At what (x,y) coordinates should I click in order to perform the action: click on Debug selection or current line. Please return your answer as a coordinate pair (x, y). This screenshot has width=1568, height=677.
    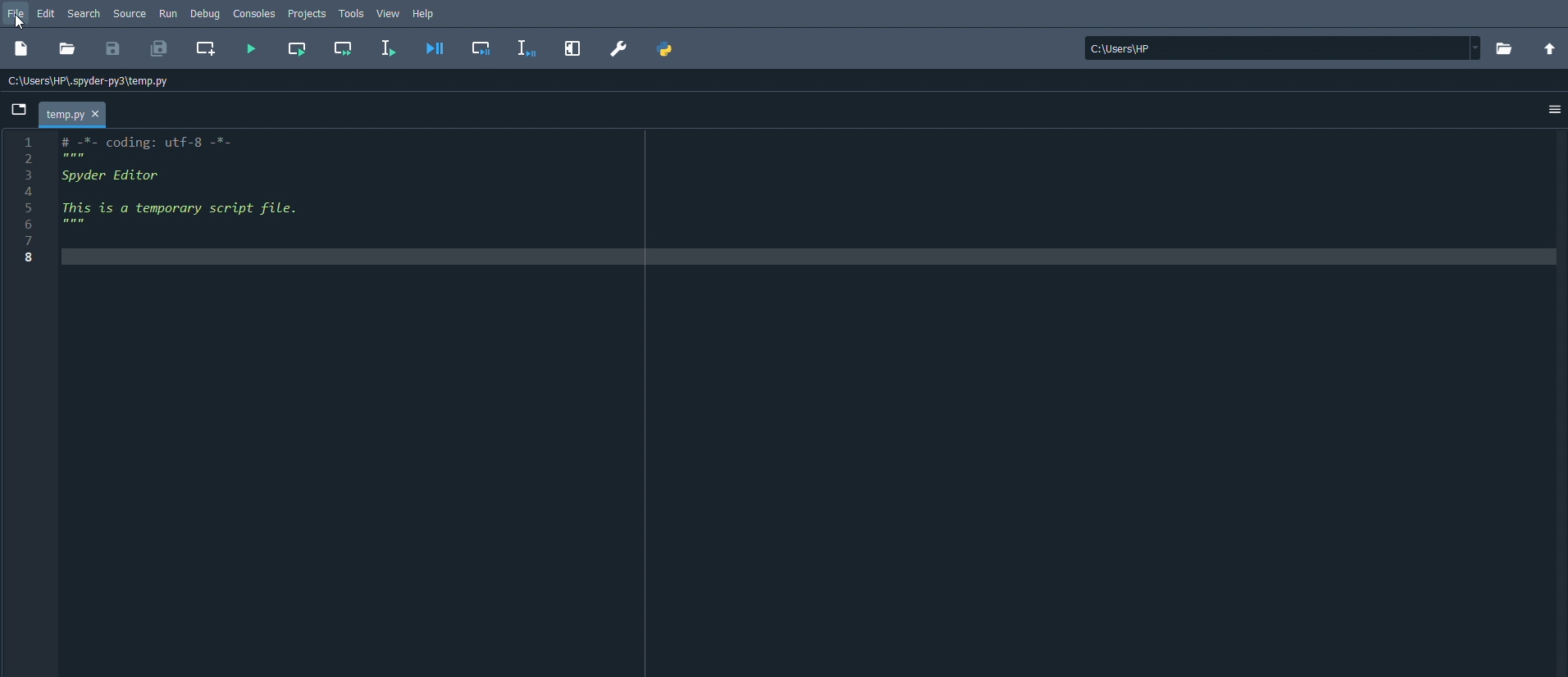
    Looking at the image, I should click on (526, 48).